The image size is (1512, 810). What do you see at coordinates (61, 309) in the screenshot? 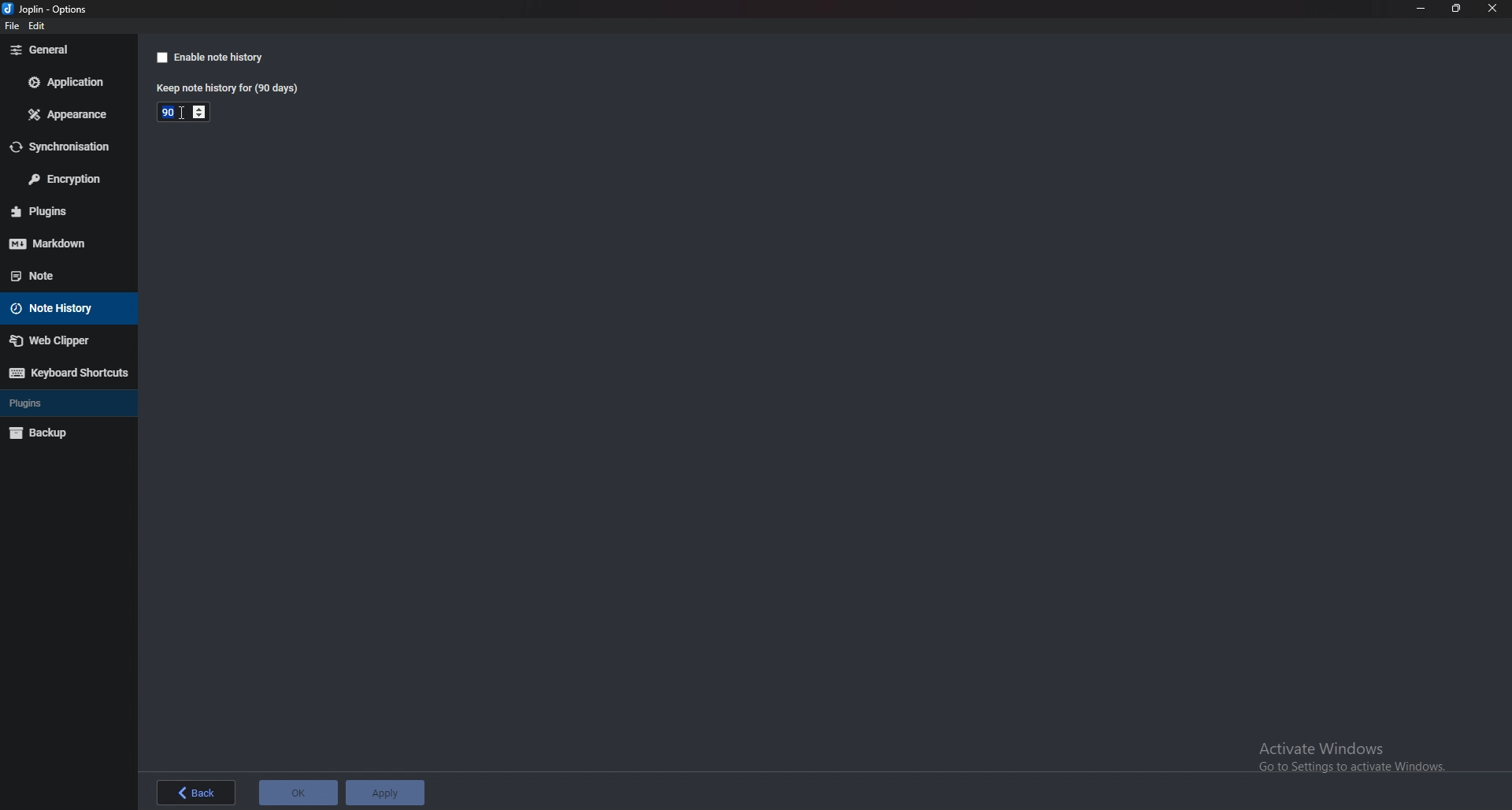
I see `Note history` at bounding box center [61, 309].